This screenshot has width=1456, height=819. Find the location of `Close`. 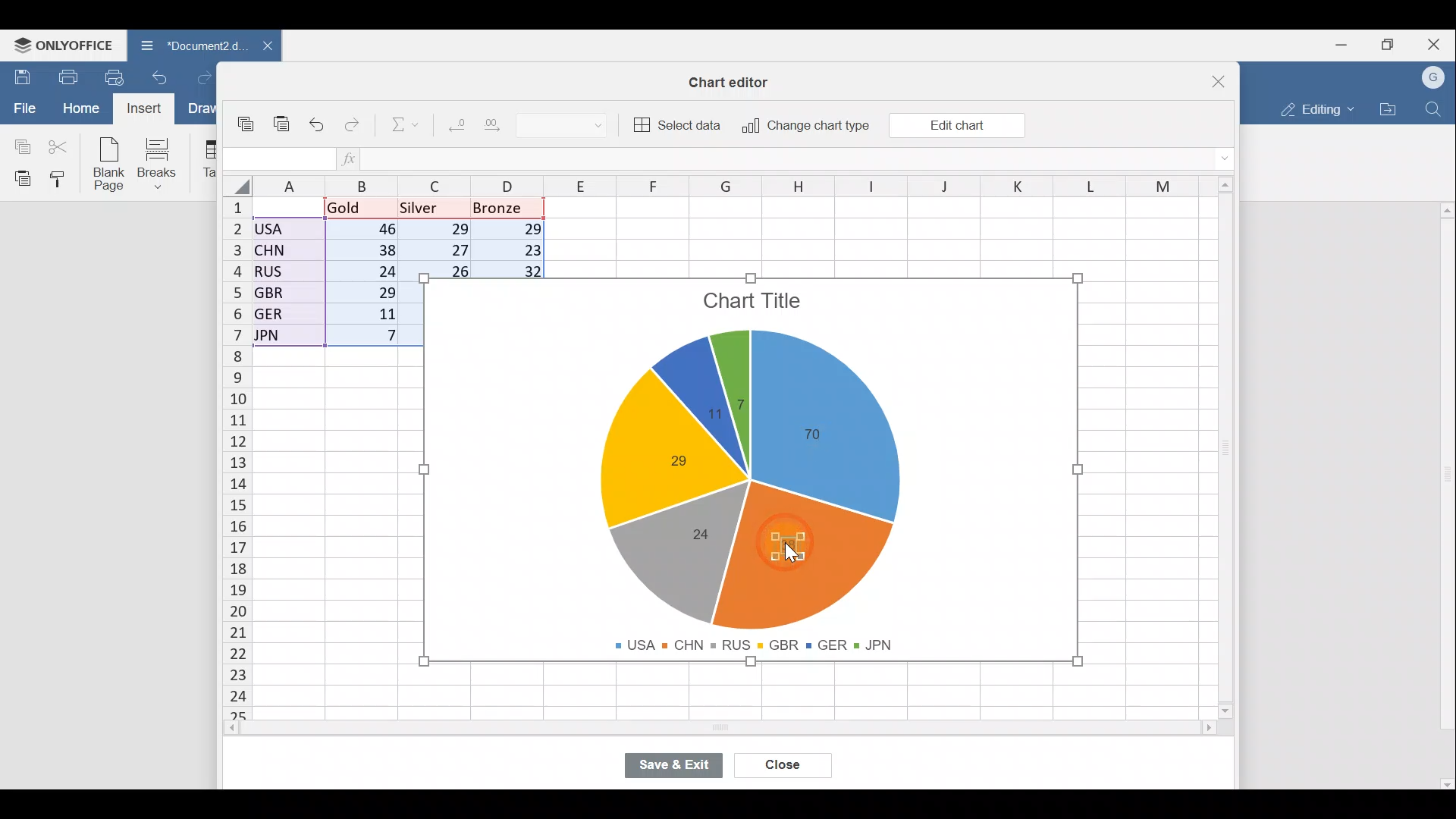

Close is located at coordinates (786, 767).